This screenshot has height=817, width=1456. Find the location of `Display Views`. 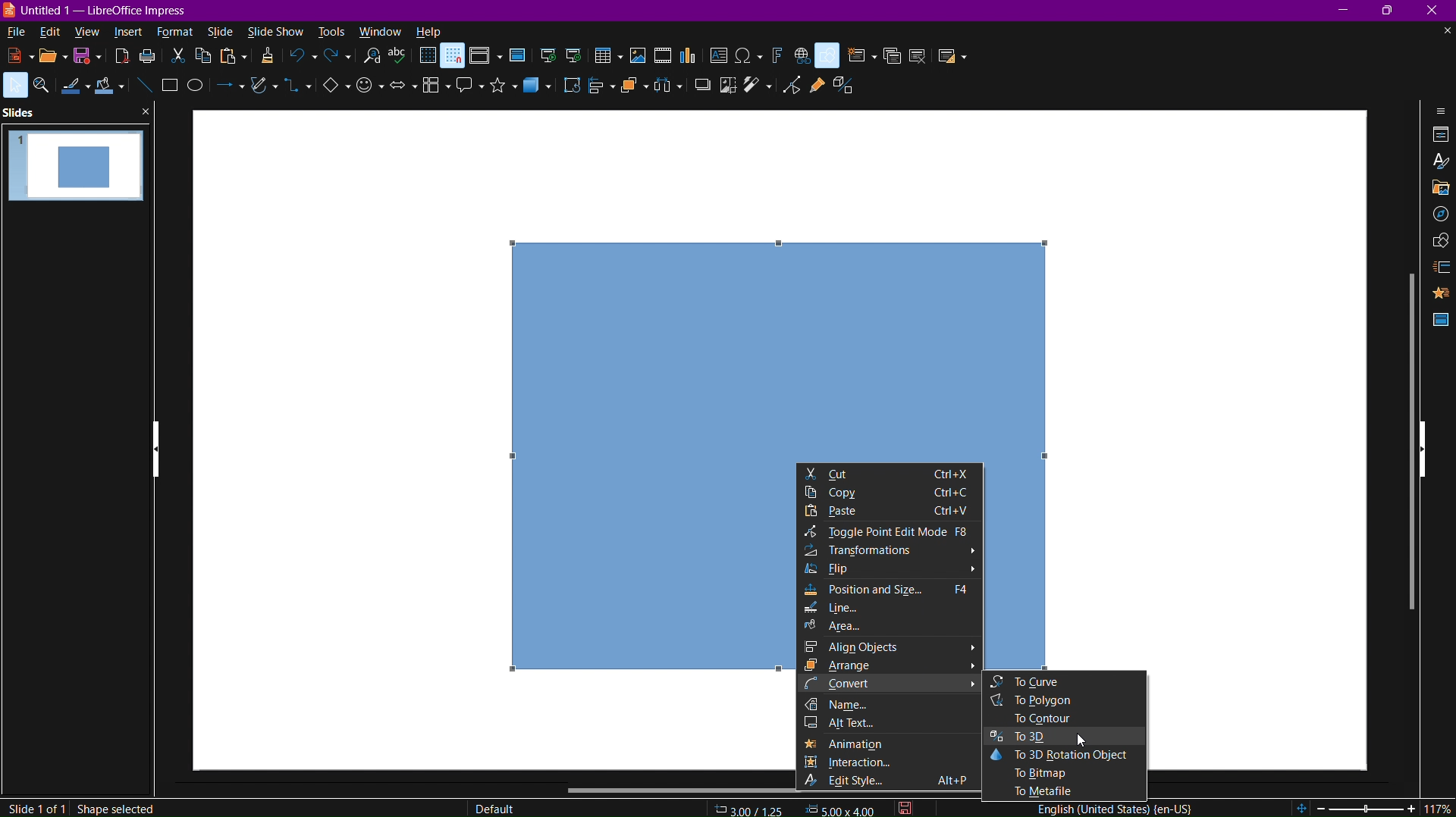

Display Views is located at coordinates (485, 57).